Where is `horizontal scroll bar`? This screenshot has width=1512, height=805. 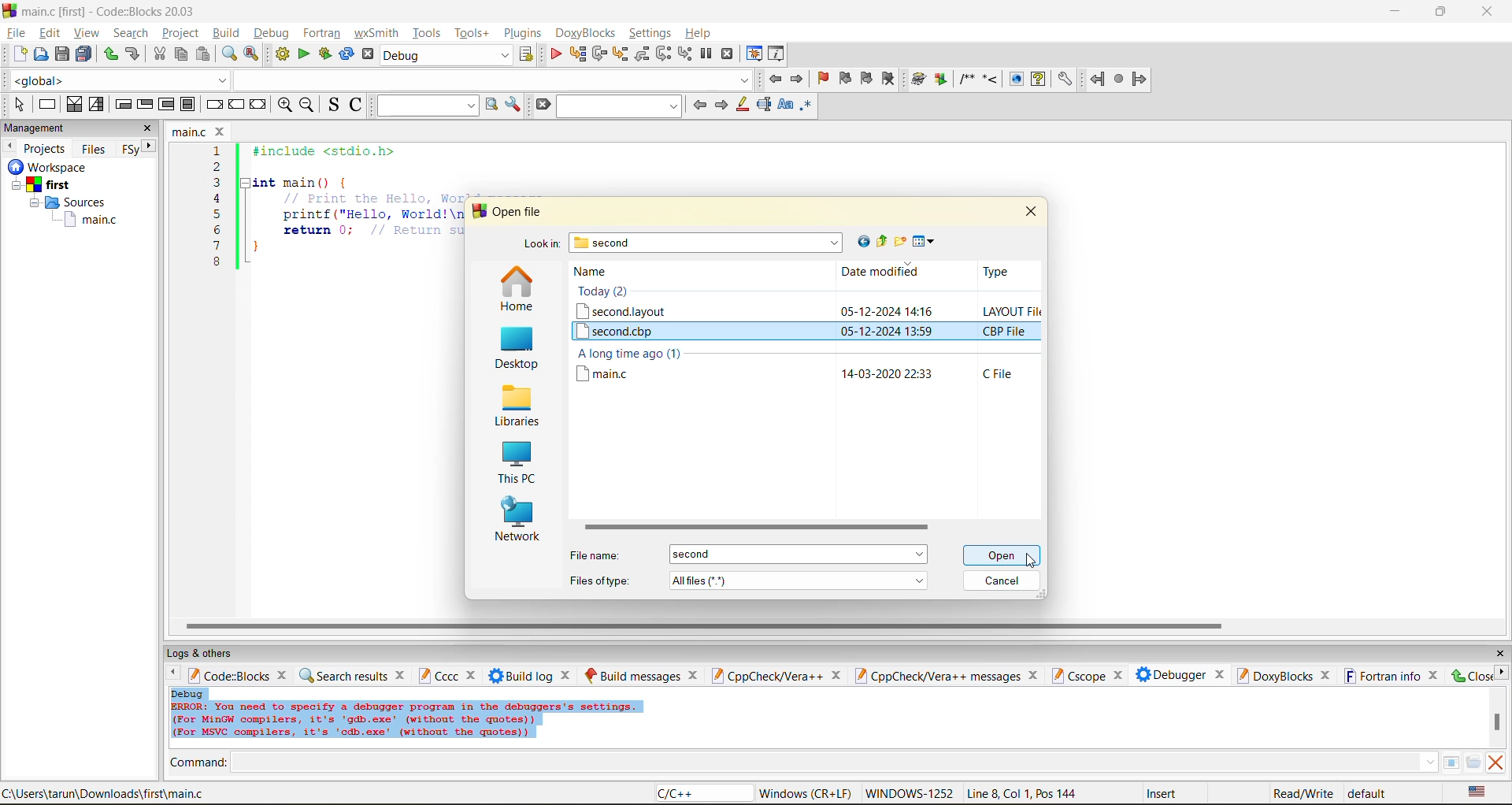 horizontal scroll bar is located at coordinates (703, 626).